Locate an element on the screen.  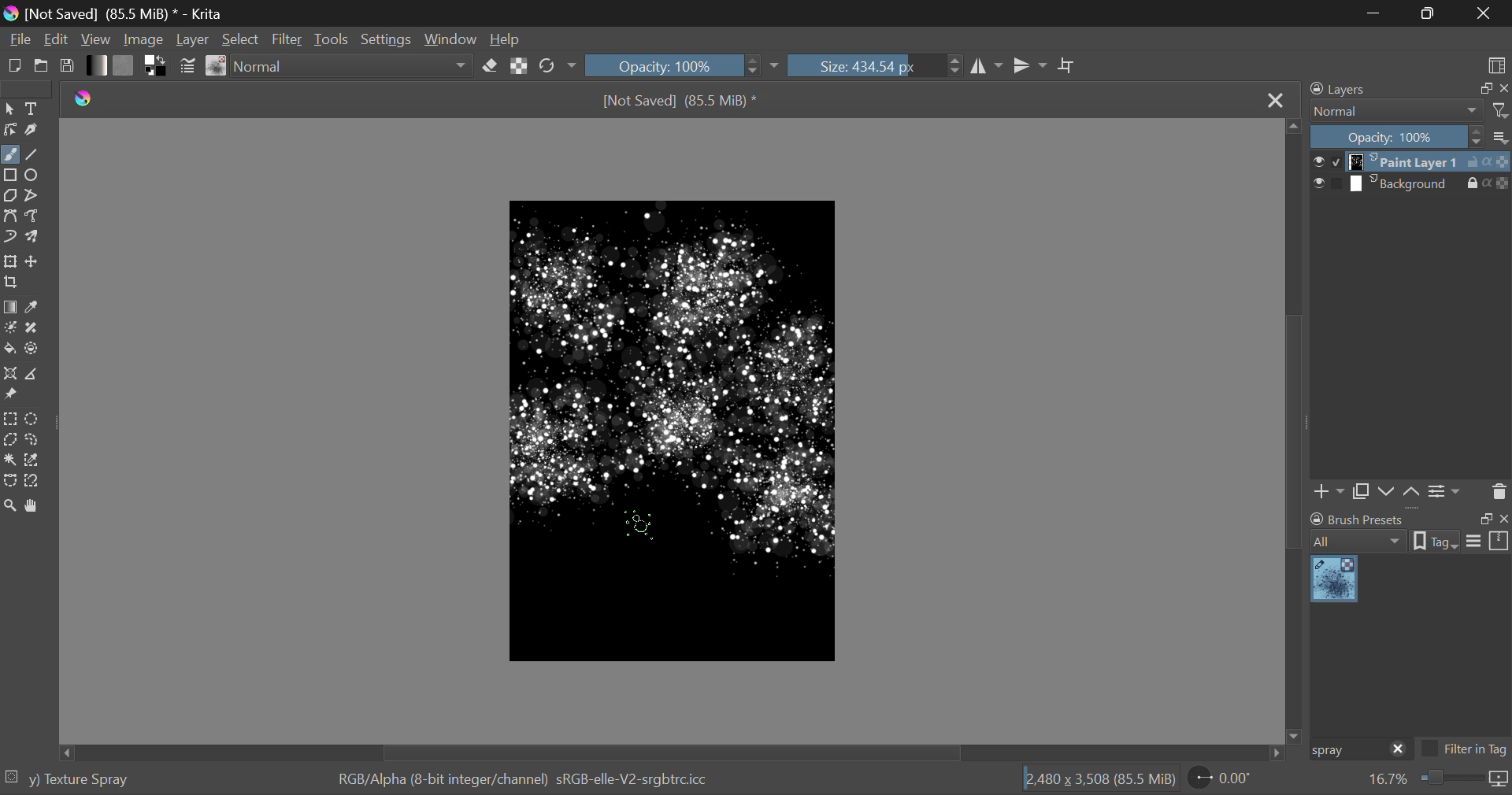
more is located at coordinates (1501, 136).